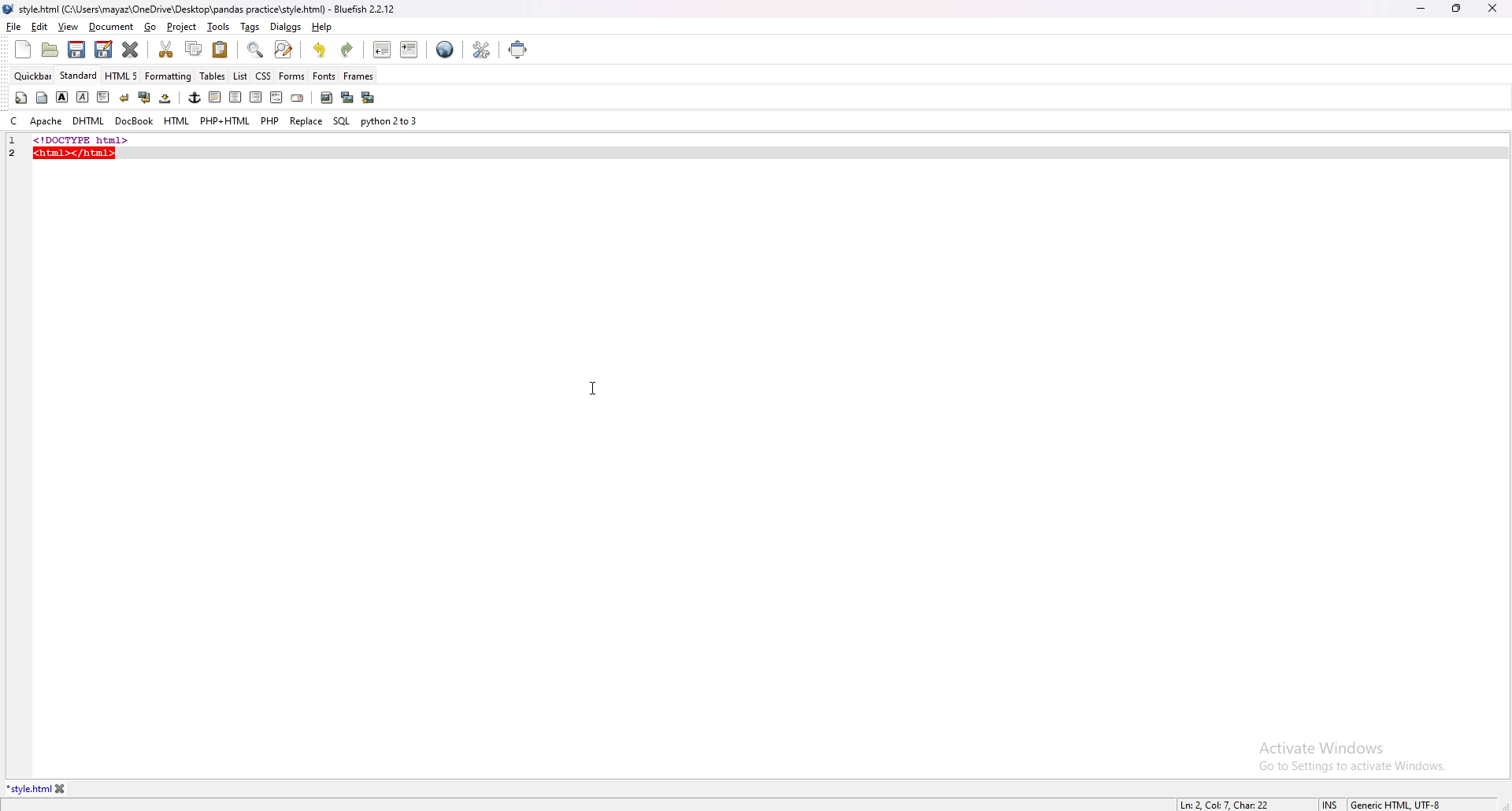 The width and height of the screenshot is (1512, 811). Describe the element at coordinates (256, 50) in the screenshot. I see `find bar` at that location.